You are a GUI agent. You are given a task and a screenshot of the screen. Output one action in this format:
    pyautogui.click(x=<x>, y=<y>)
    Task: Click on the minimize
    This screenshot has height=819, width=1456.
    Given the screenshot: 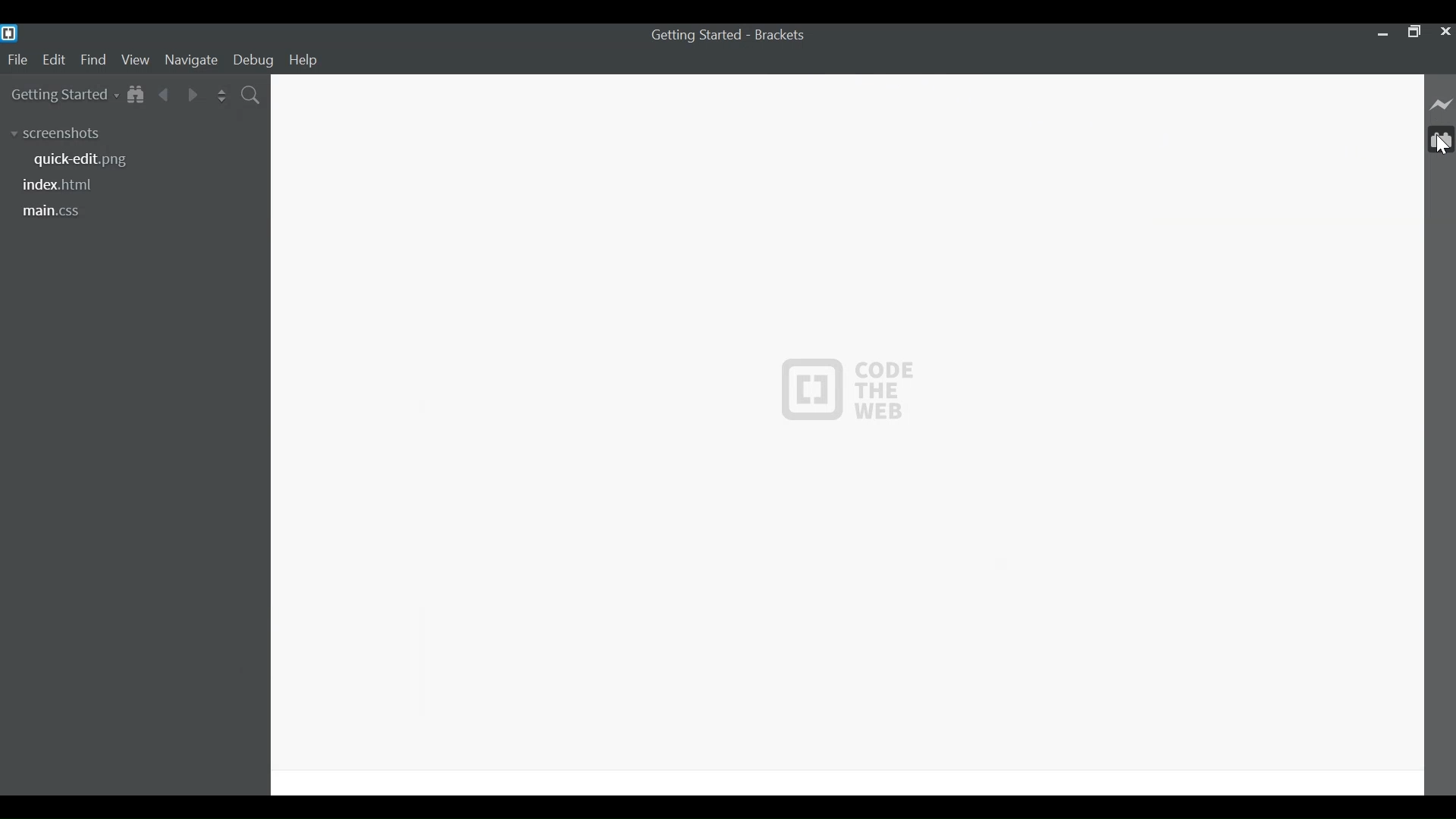 What is the action you would take?
    pyautogui.click(x=1382, y=33)
    